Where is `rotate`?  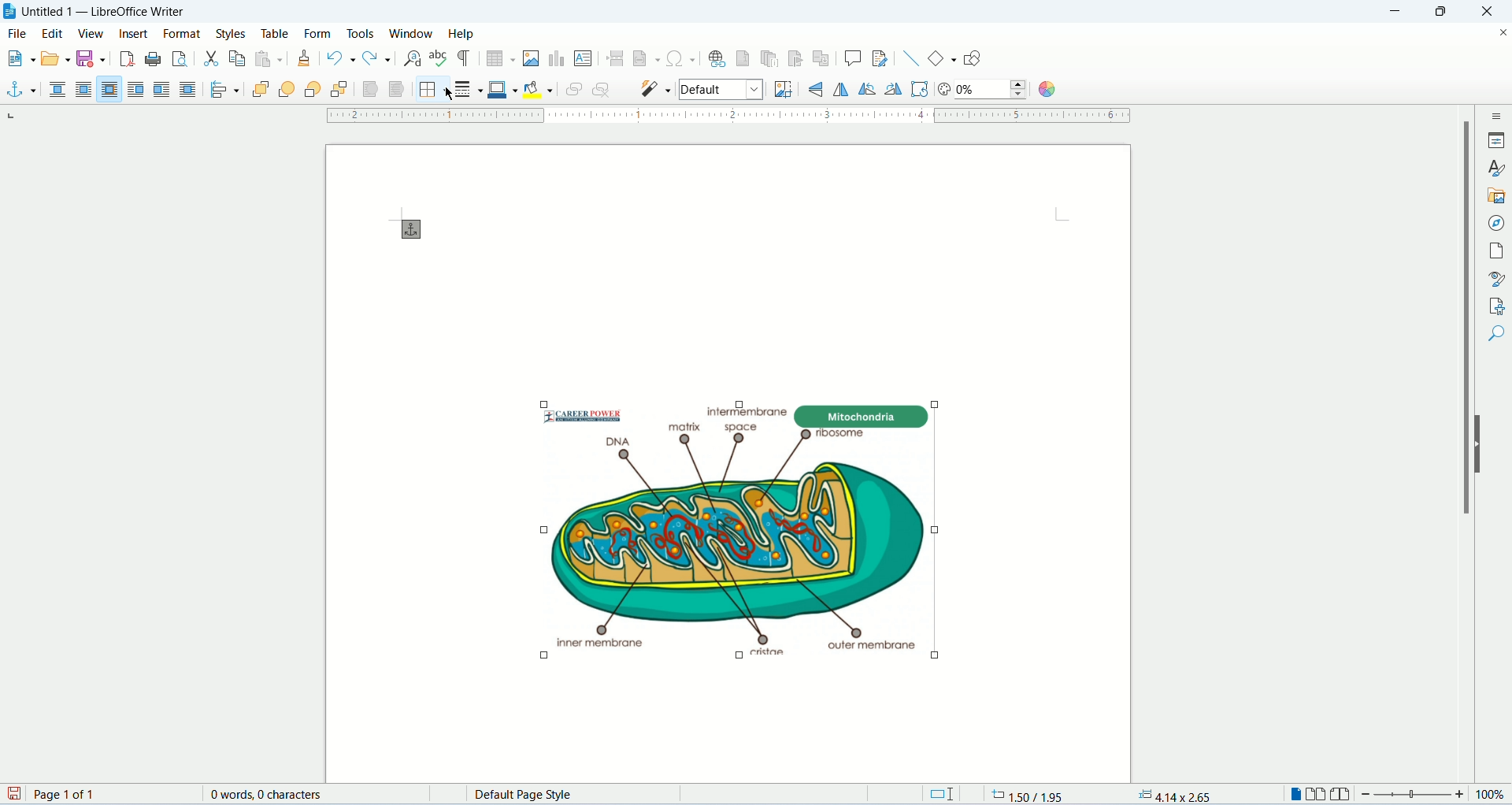
rotate is located at coordinates (921, 90).